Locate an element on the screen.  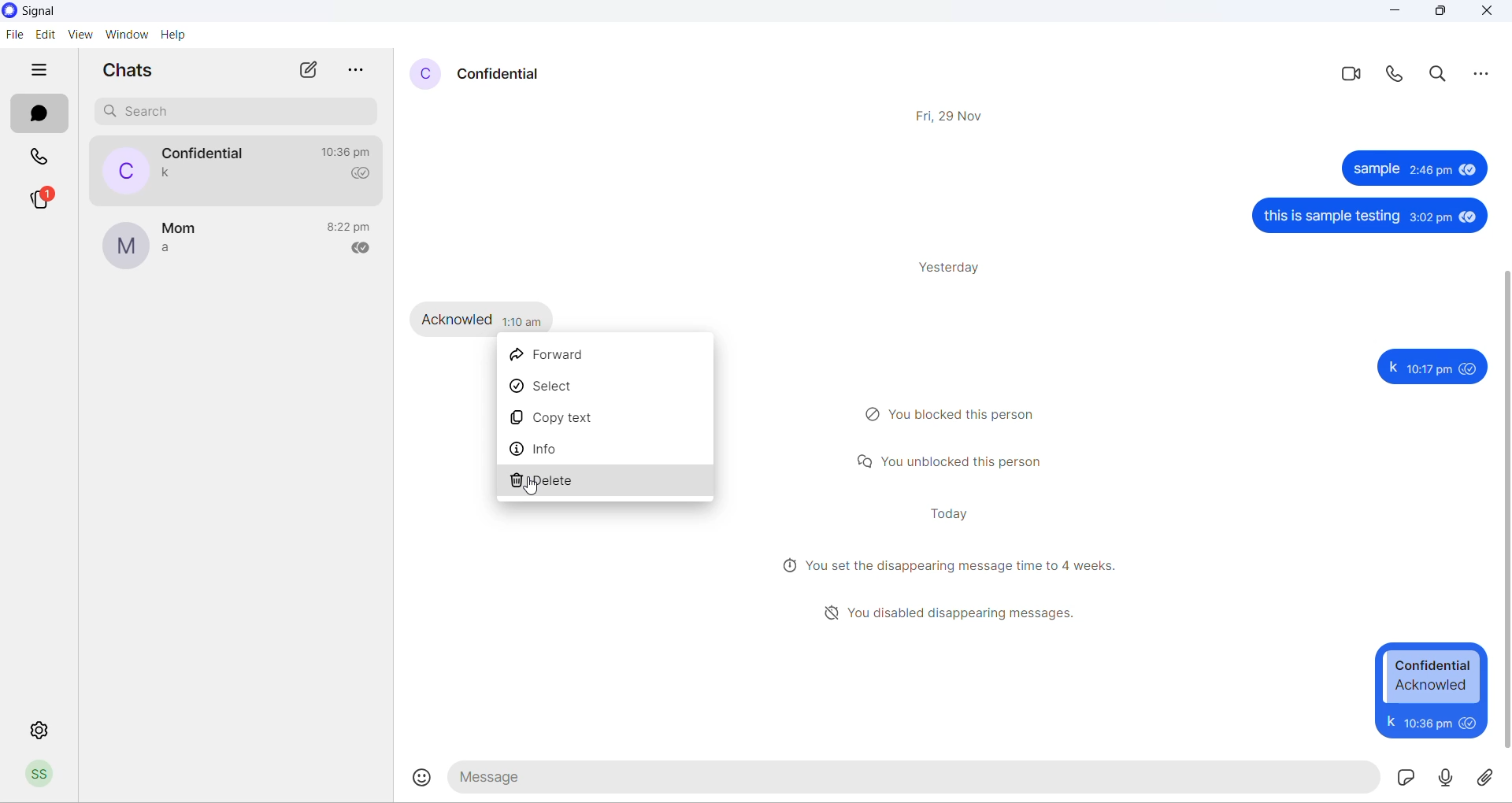
Acknowled is located at coordinates (454, 320).